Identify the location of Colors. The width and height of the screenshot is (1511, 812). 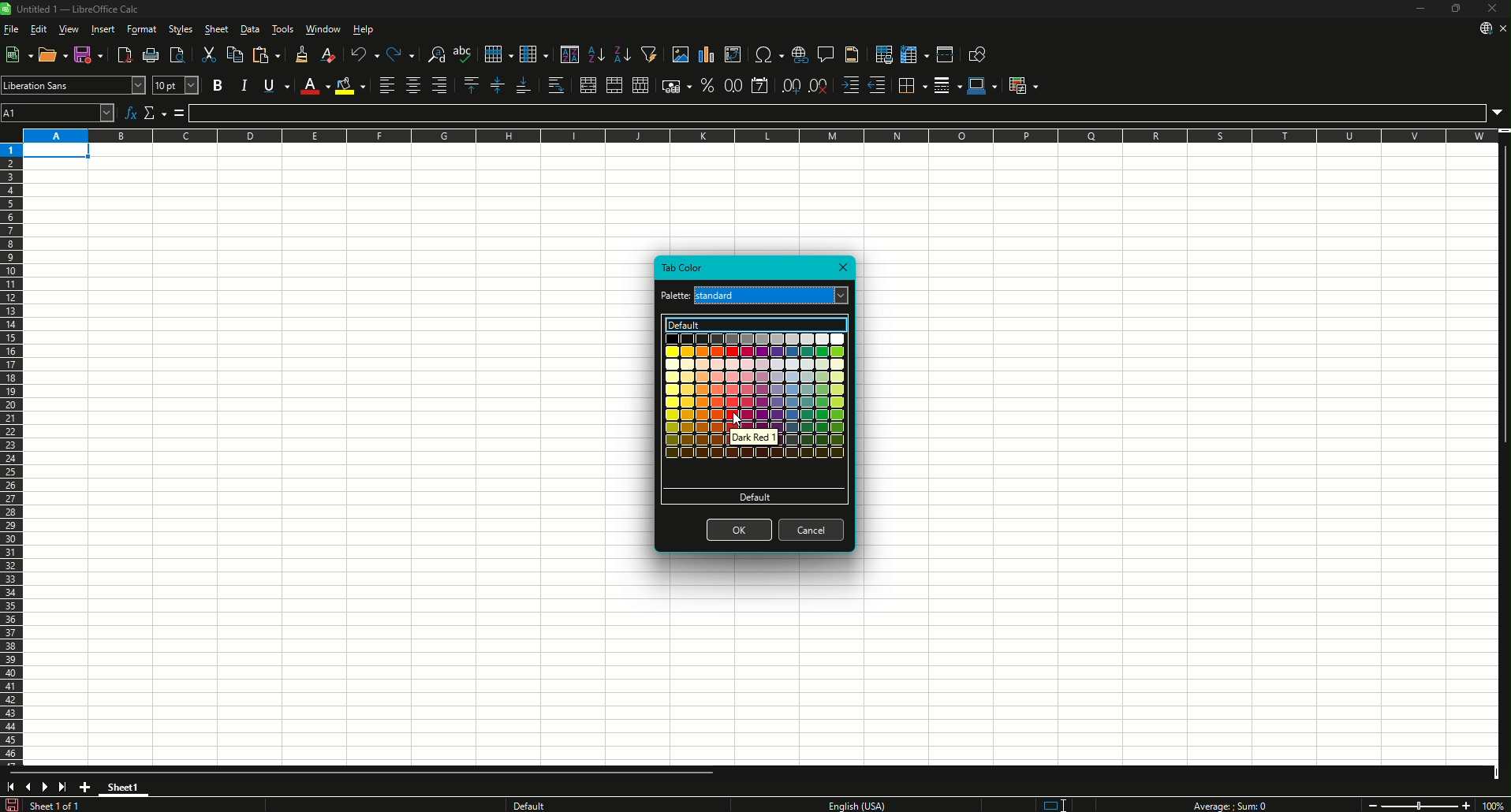
(755, 396).